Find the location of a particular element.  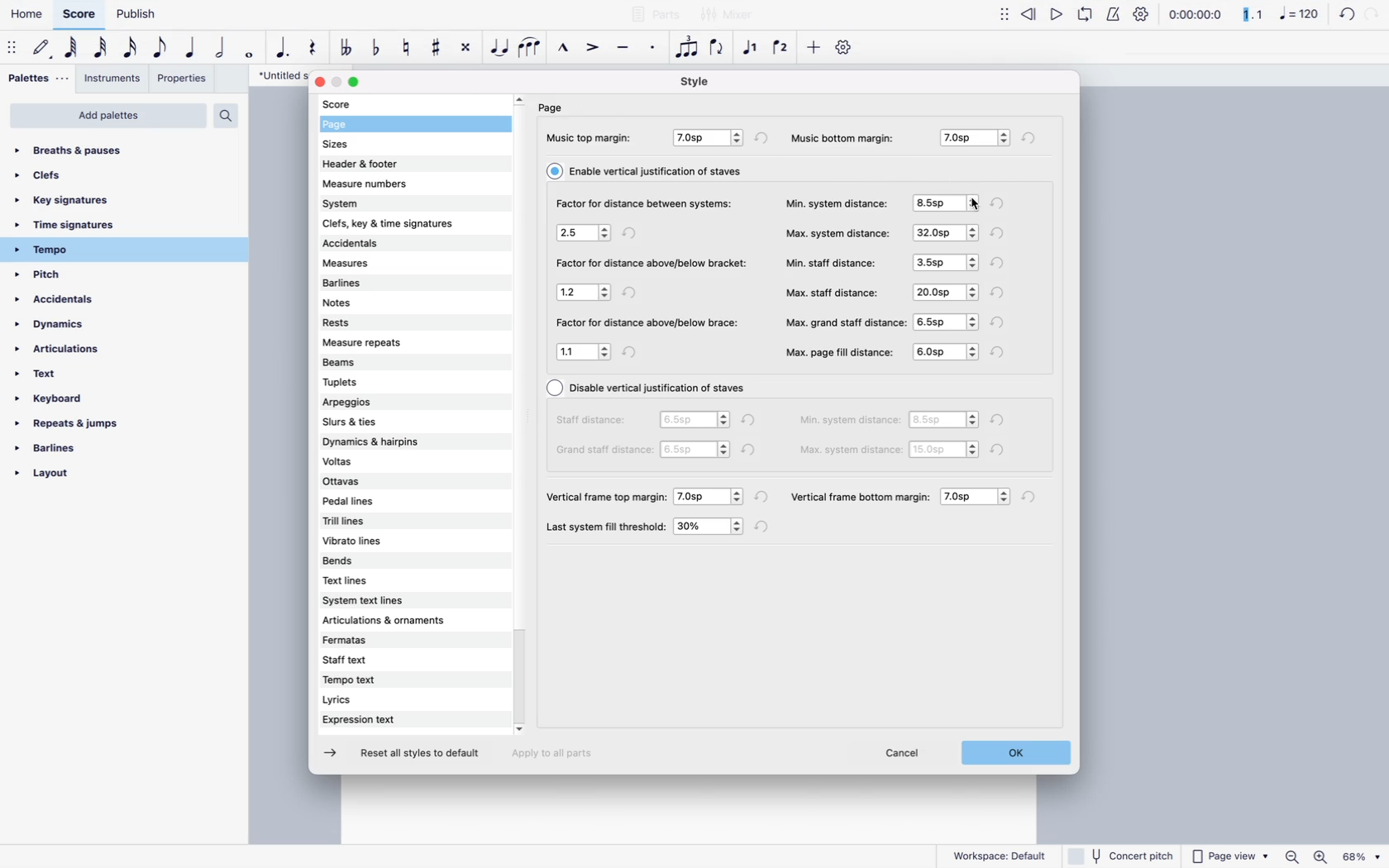

toggle sharp is located at coordinates (438, 46).